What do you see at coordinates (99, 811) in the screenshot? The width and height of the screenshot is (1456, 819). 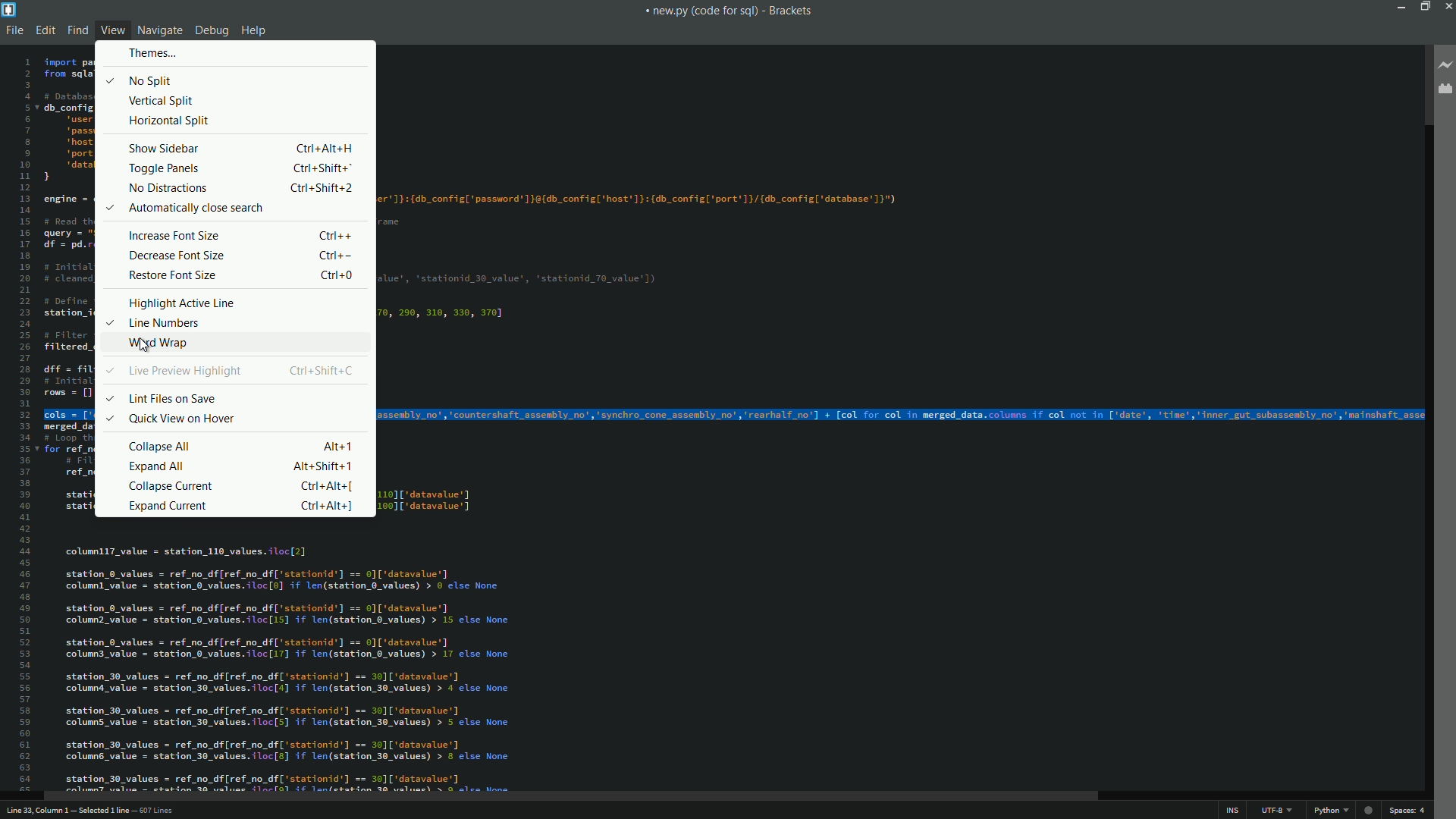 I see `cursor position` at bounding box center [99, 811].